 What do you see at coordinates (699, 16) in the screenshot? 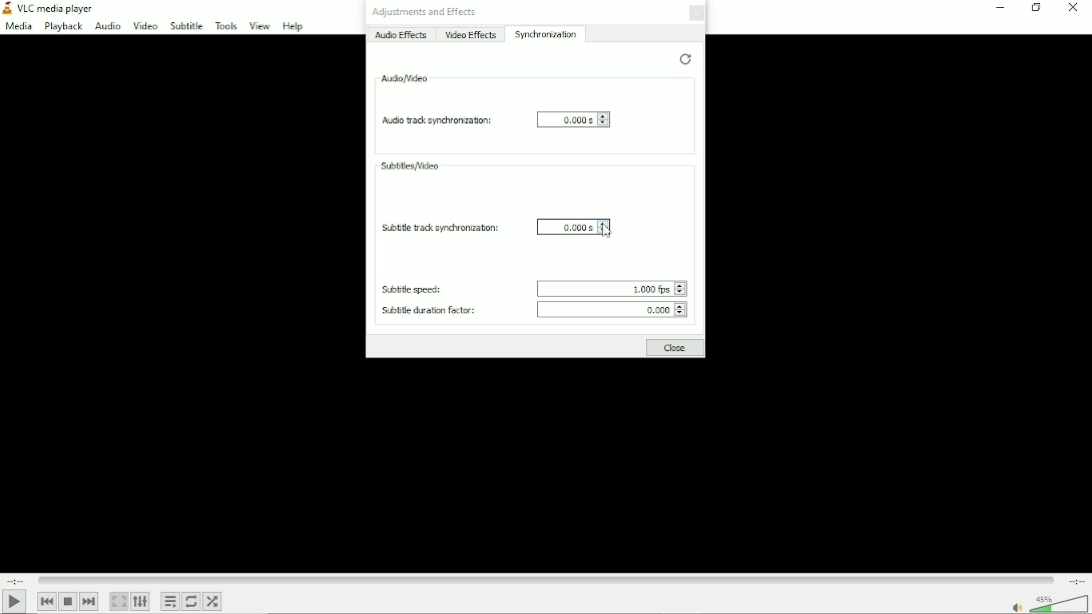
I see `Close` at bounding box center [699, 16].